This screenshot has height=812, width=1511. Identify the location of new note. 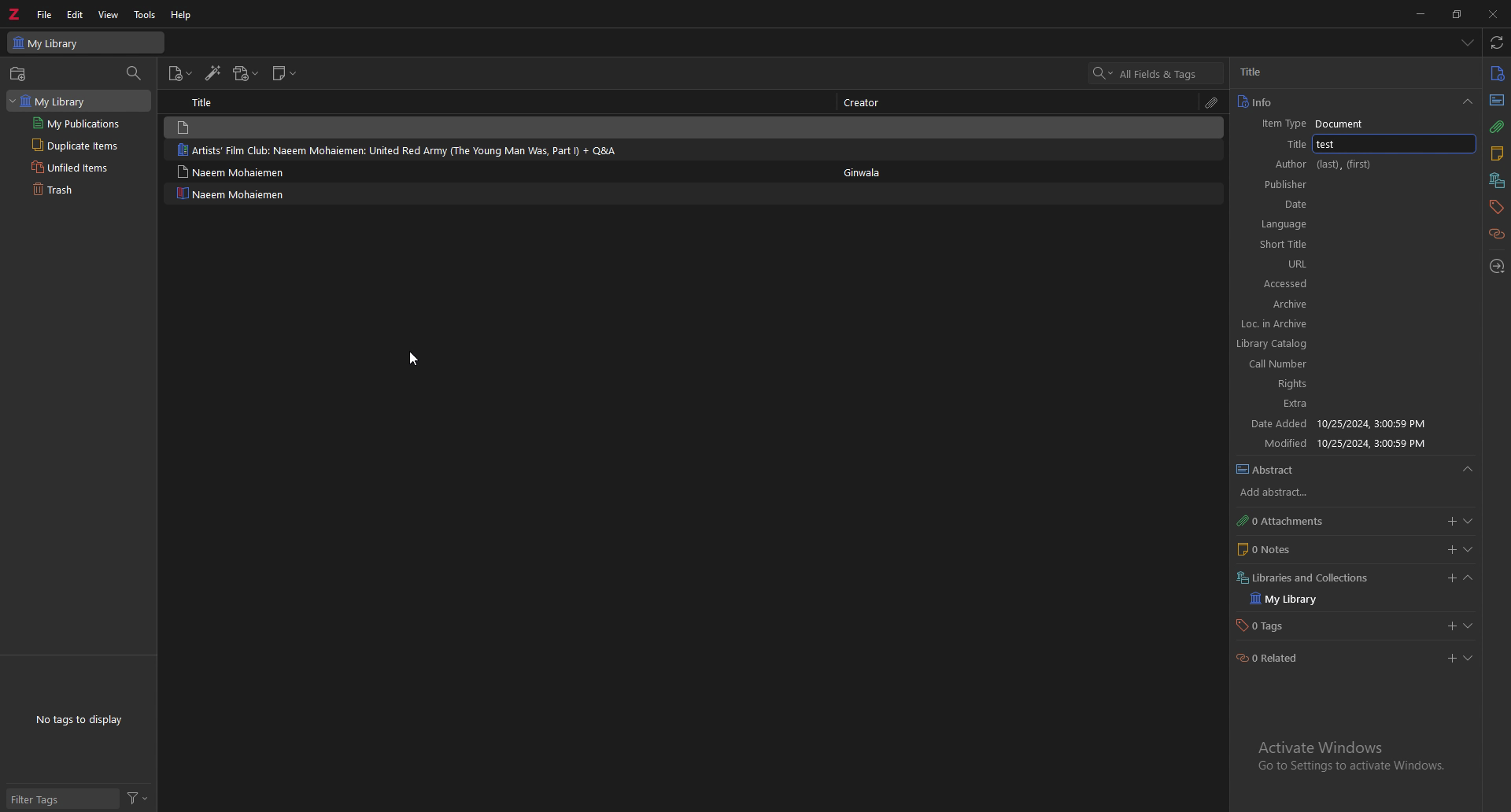
(286, 73).